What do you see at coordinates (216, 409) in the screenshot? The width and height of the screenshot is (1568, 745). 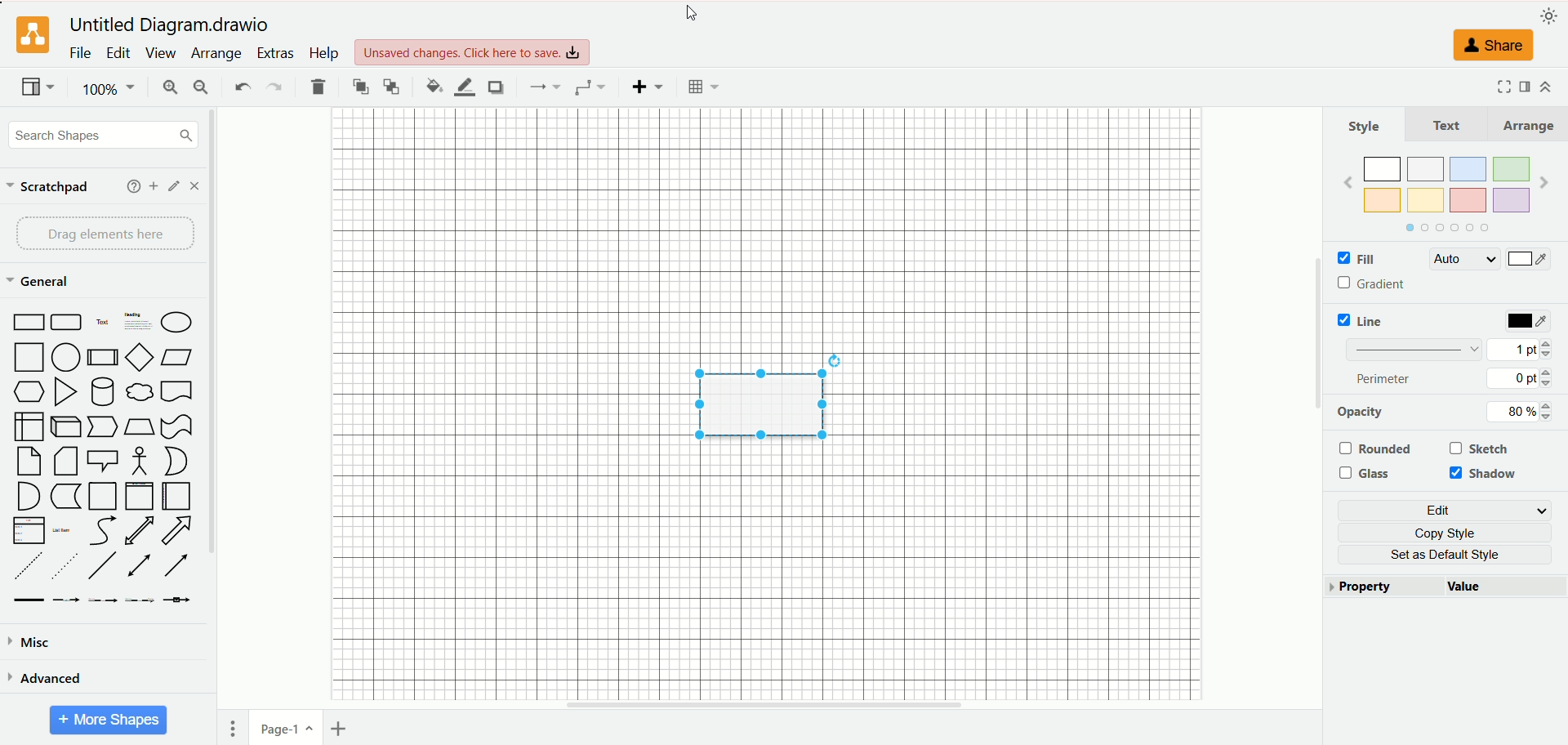 I see `vertical scroll bar` at bounding box center [216, 409].